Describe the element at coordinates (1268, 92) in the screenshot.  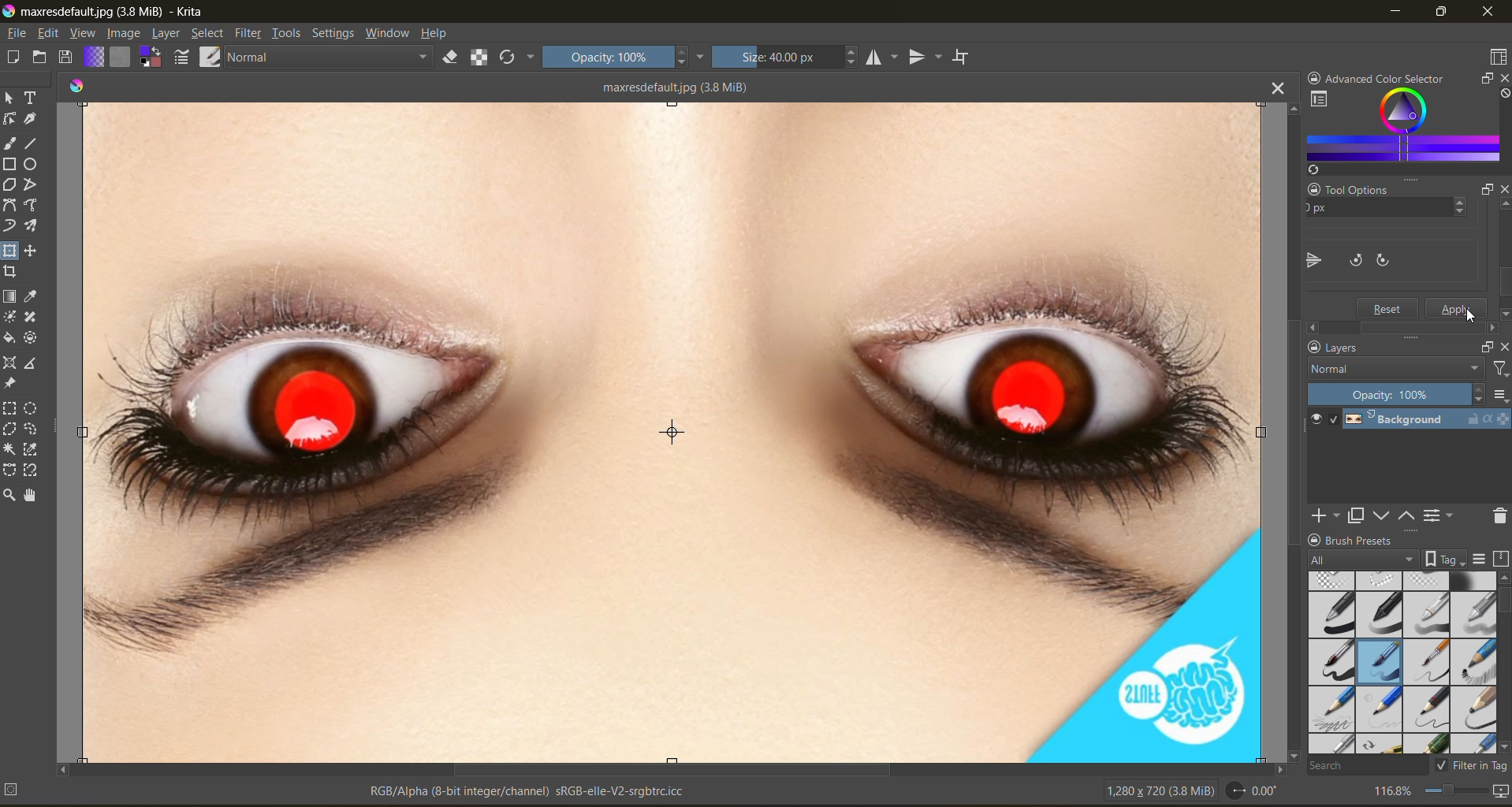
I see `close tab` at that location.